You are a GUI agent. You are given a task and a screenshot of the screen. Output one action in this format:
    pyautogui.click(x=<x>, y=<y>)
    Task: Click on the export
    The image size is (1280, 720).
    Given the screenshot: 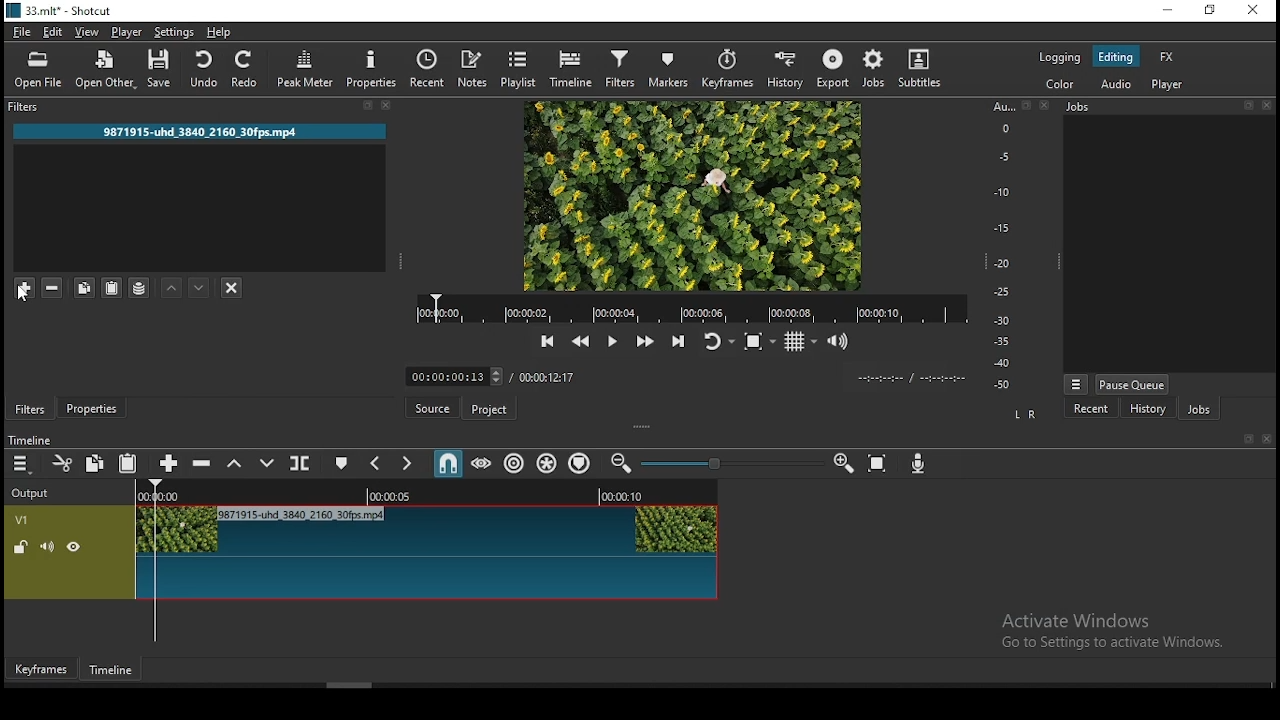 What is the action you would take?
    pyautogui.click(x=833, y=70)
    